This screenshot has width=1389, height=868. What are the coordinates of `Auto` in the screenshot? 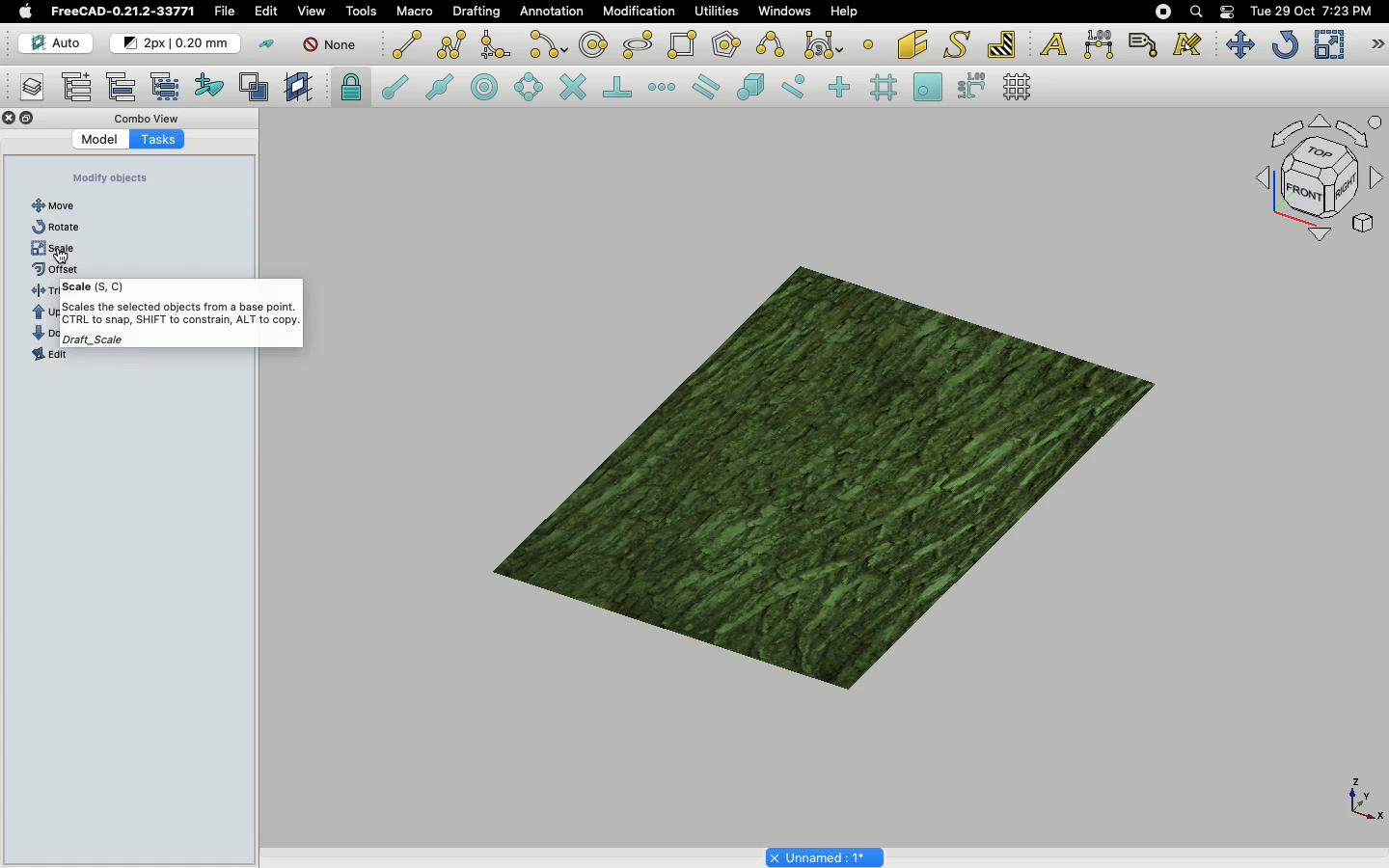 It's located at (49, 42).